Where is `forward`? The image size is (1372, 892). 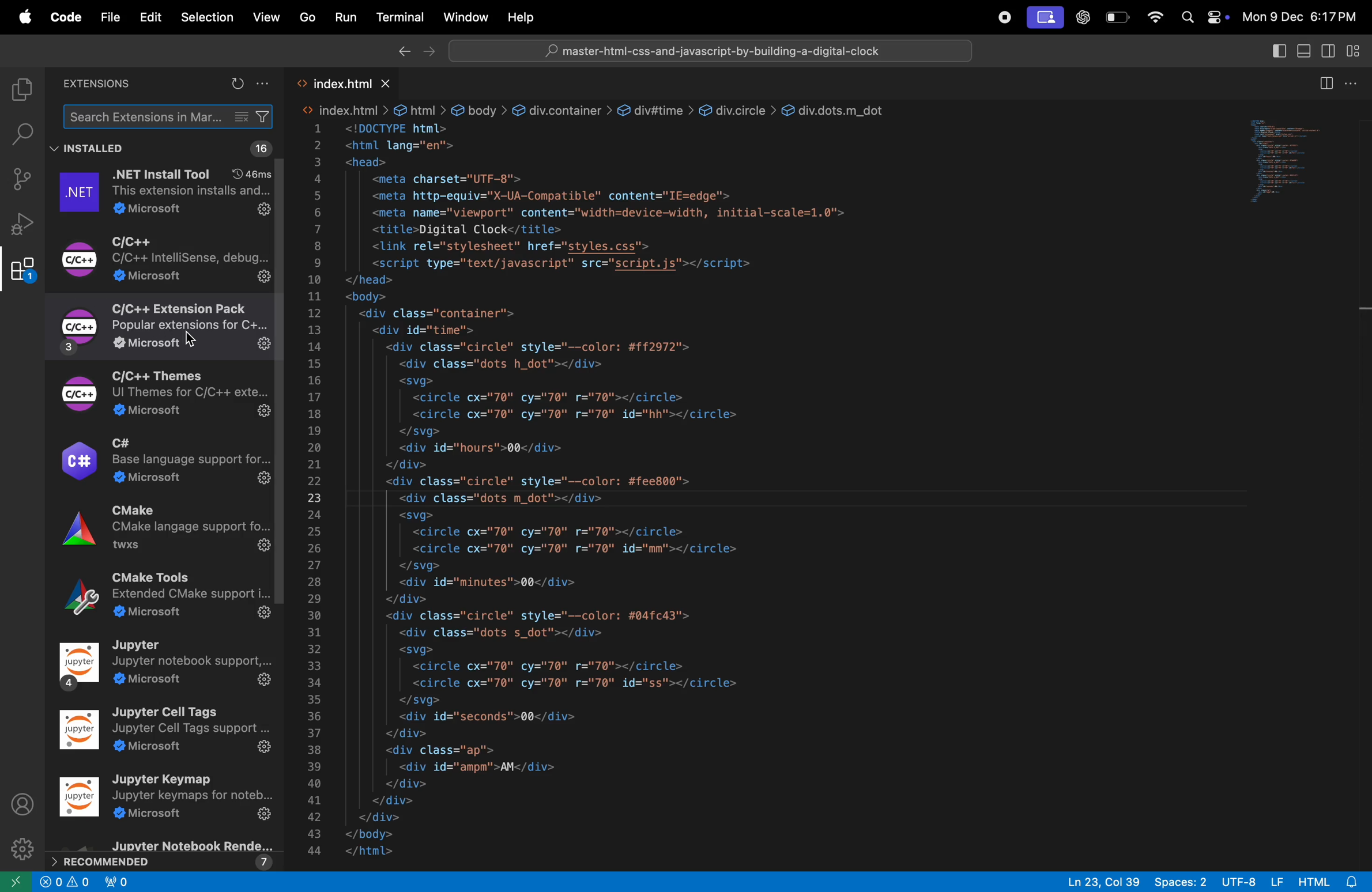 forward is located at coordinates (429, 50).